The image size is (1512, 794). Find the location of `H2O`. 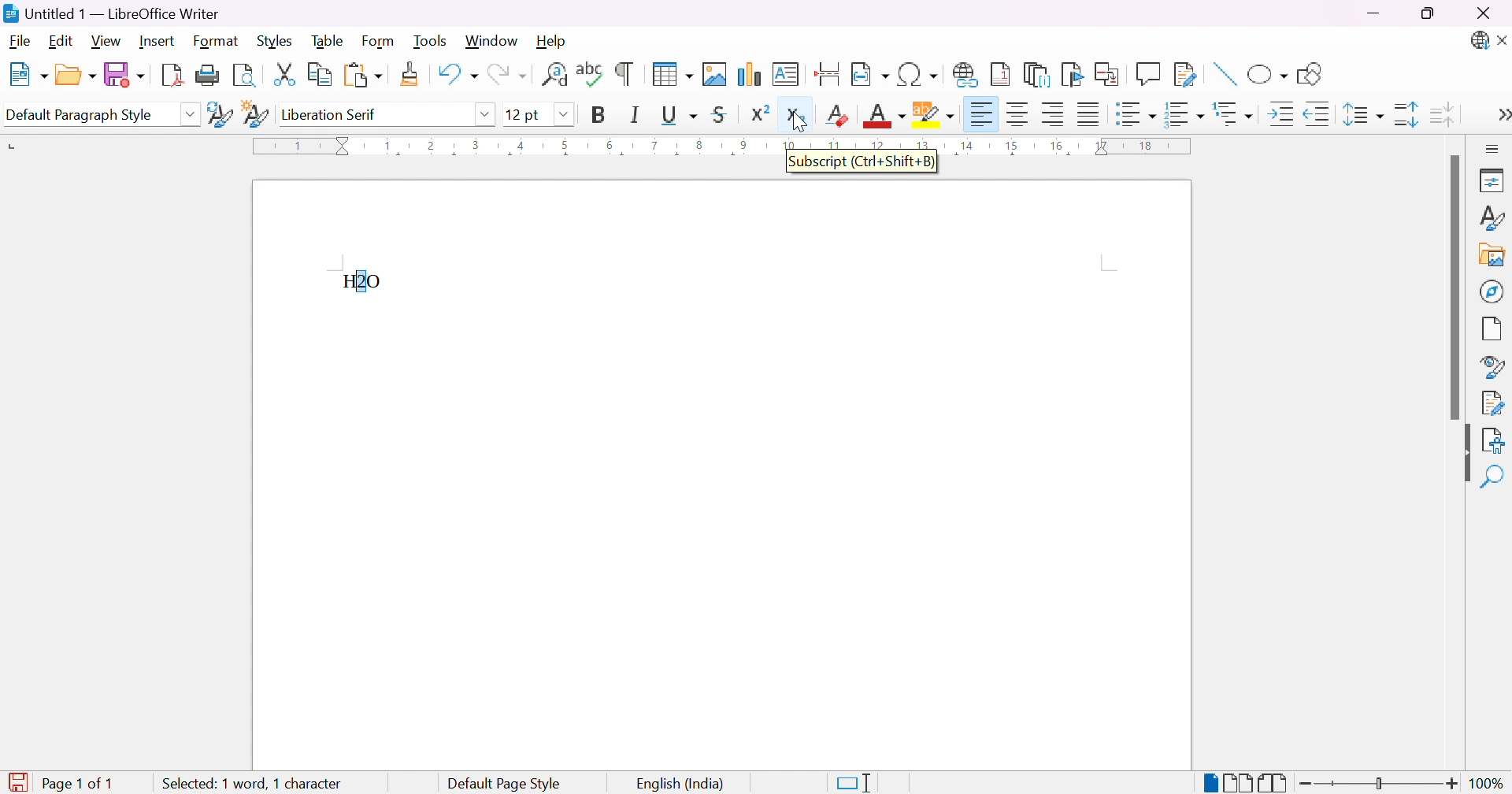

H2O is located at coordinates (363, 282).